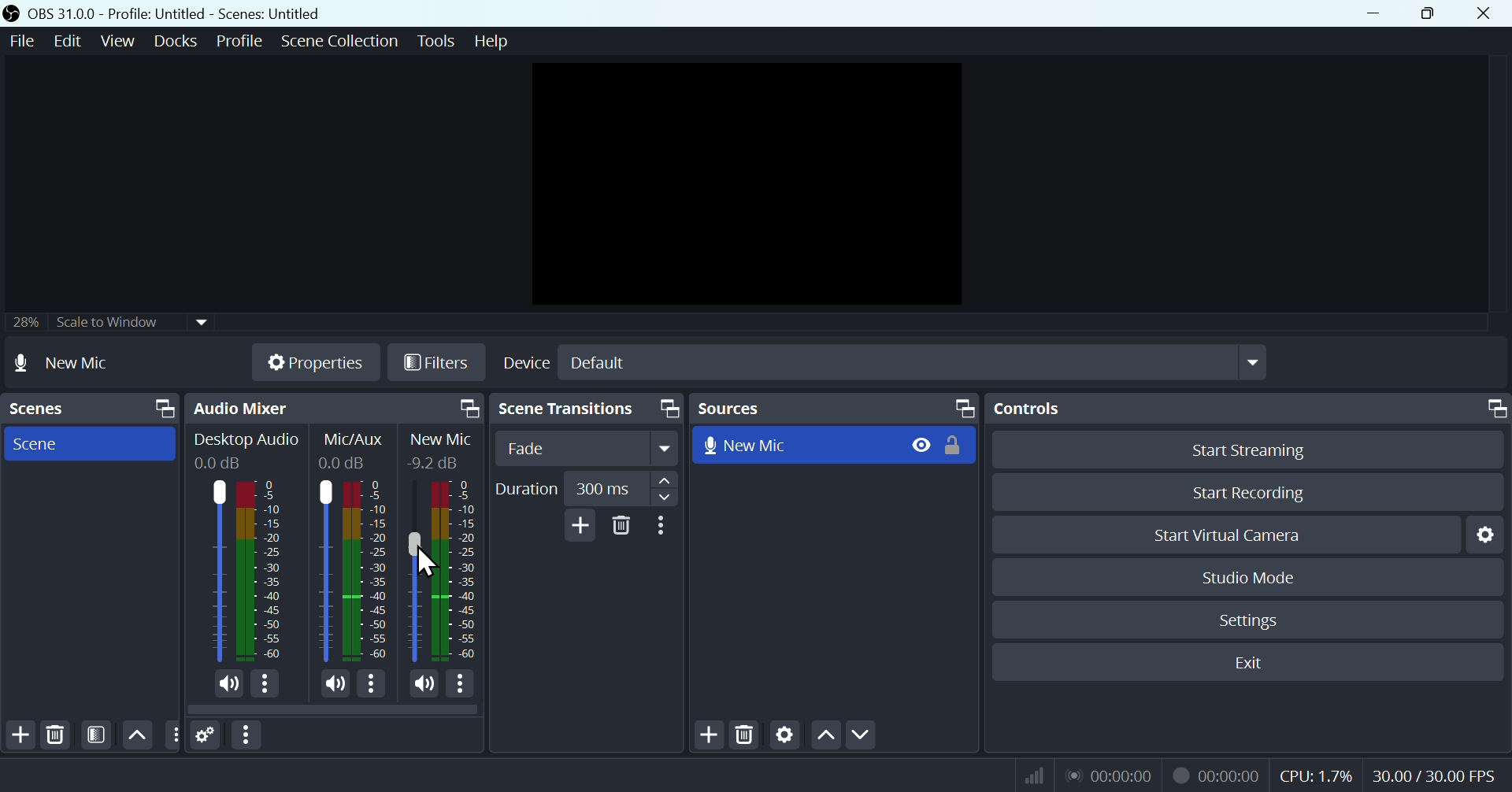 This screenshot has width=1512, height=792. What do you see at coordinates (135, 735) in the screenshot?
I see `Up` at bounding box center [135, 735].